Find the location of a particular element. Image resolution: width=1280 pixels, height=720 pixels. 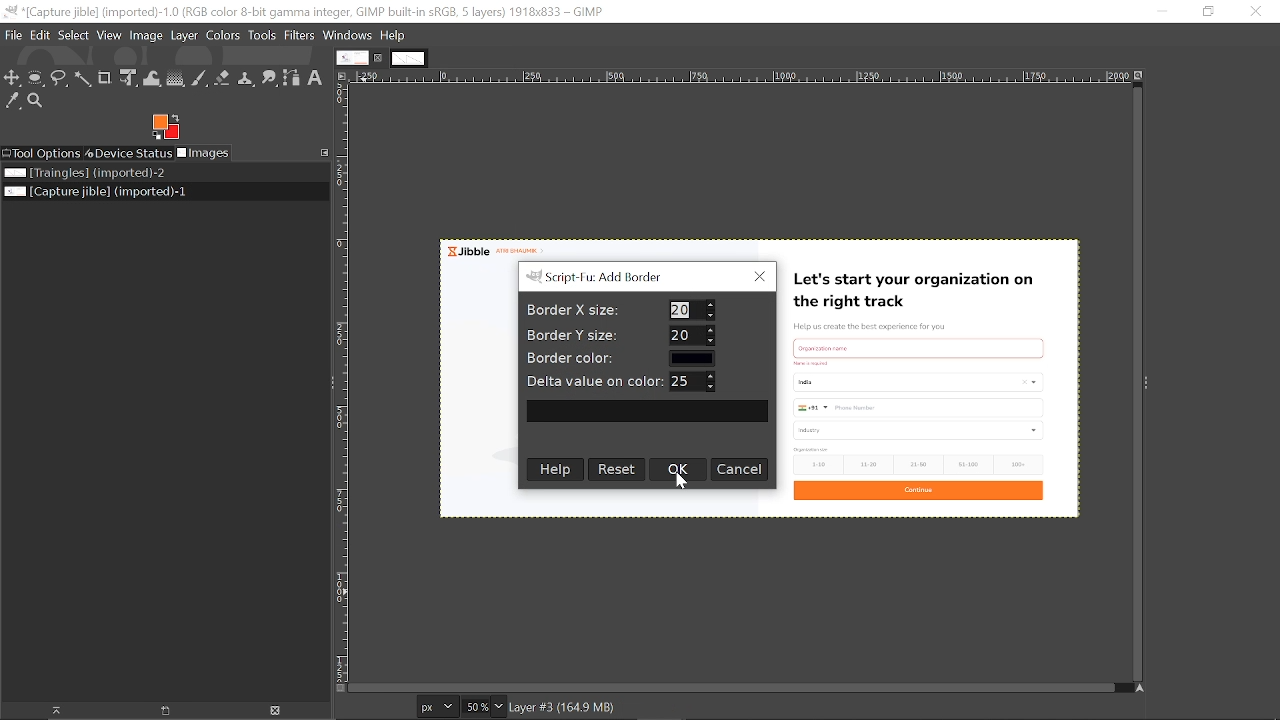

Device status is located at coordinates (130, 152).